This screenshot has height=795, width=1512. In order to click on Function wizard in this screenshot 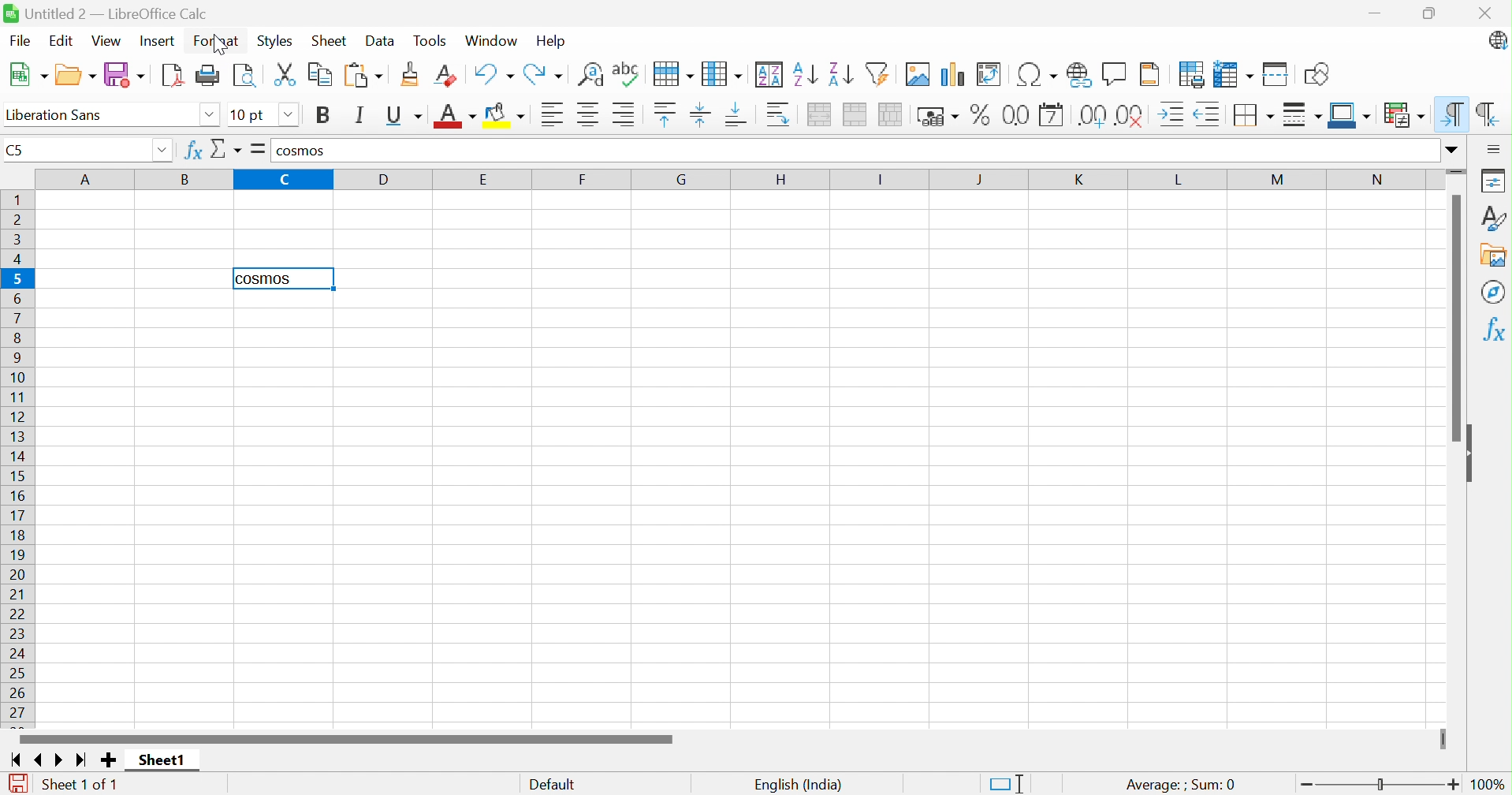, I will do `click(194, 151)`.